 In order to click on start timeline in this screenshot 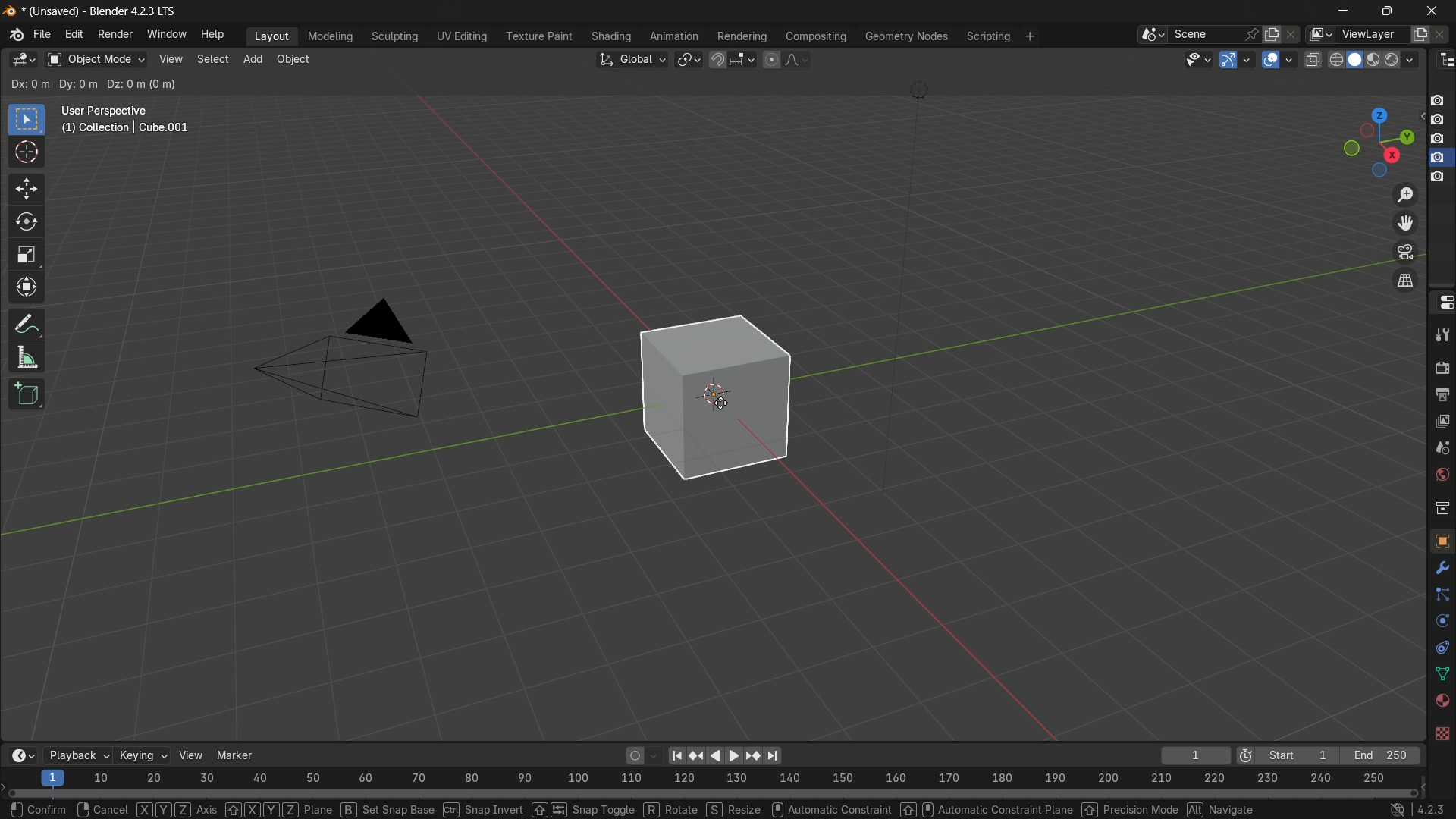, I will do `click(1298, 756)`.